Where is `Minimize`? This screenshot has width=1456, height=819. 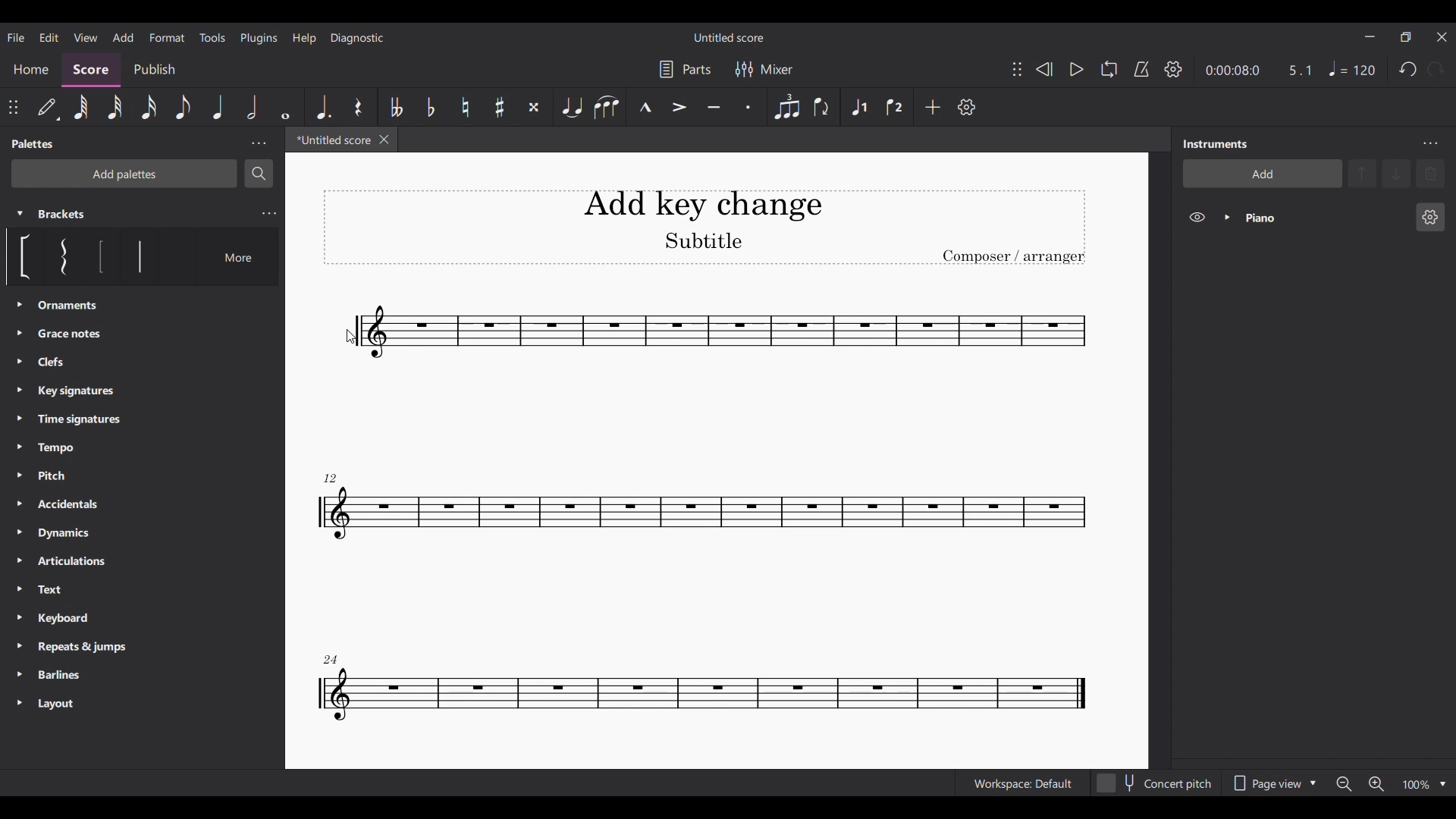 Minimize is located at coordinates (1369, 36).